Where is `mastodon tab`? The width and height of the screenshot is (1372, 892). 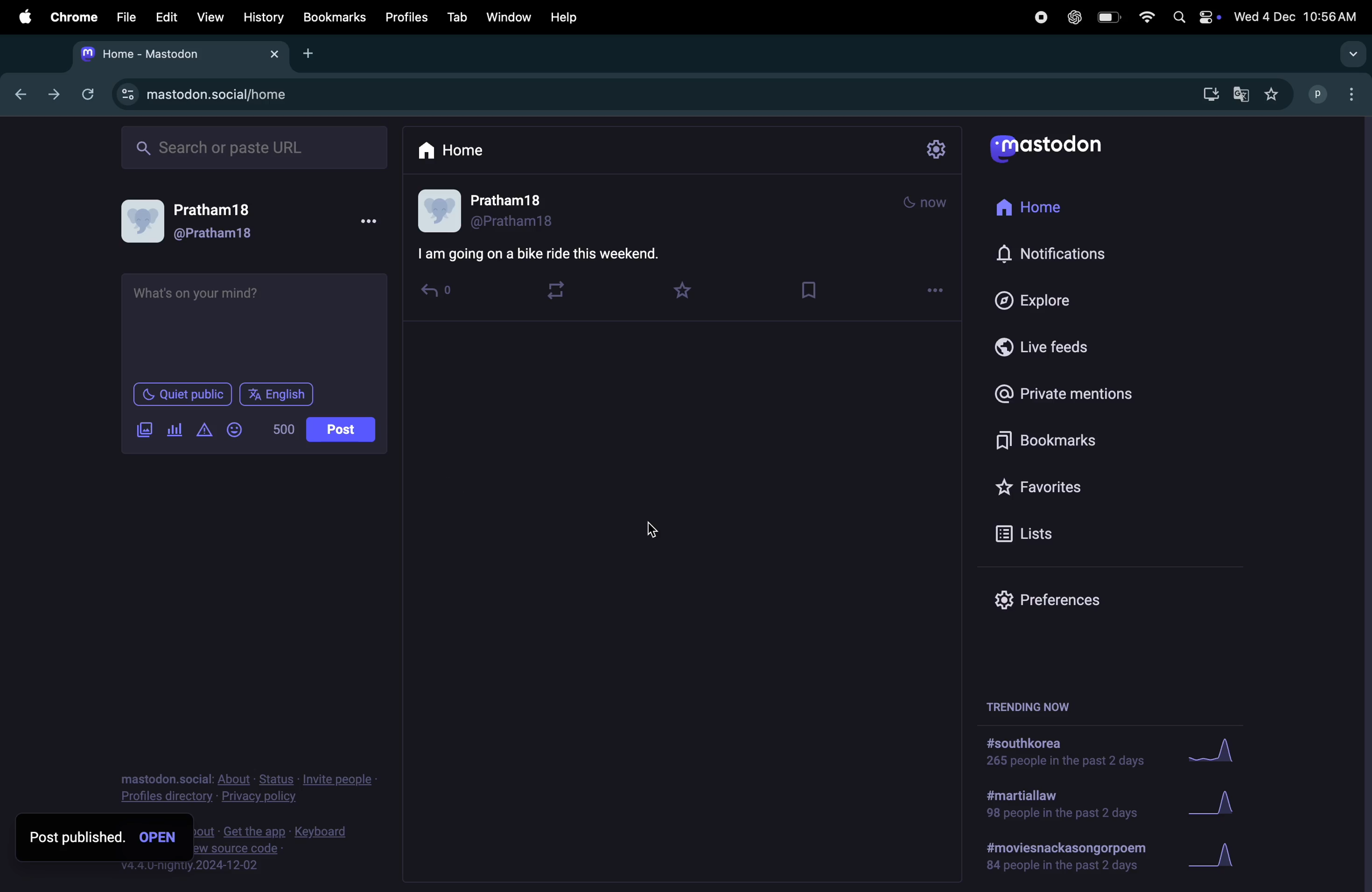 mastodon tab is located at coordinates (181, 52).